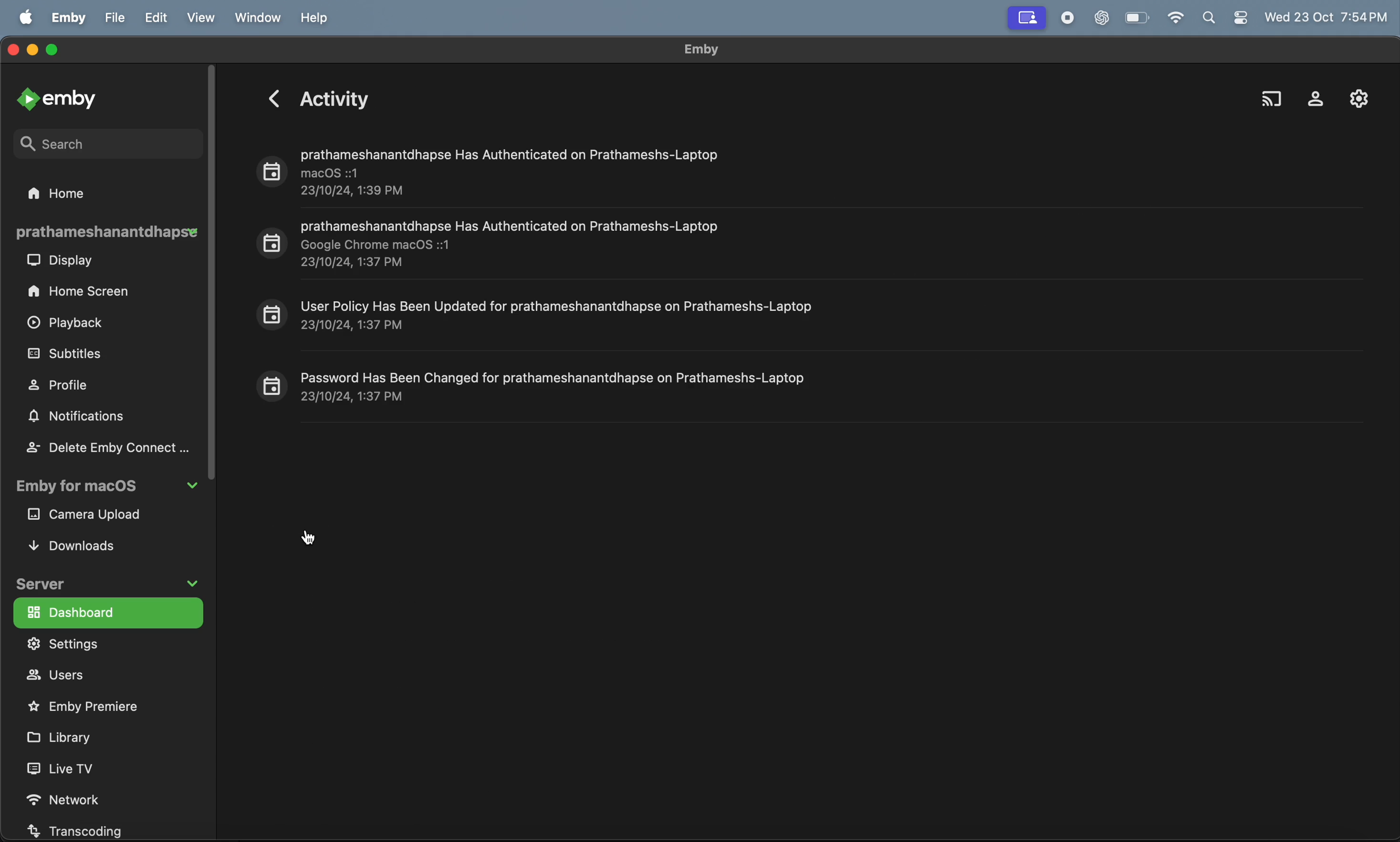 Image resolution: width=1400 pixels, height=842 pixels. I want to click on wed 23 oct 7:54pm, so click(1328, 15).